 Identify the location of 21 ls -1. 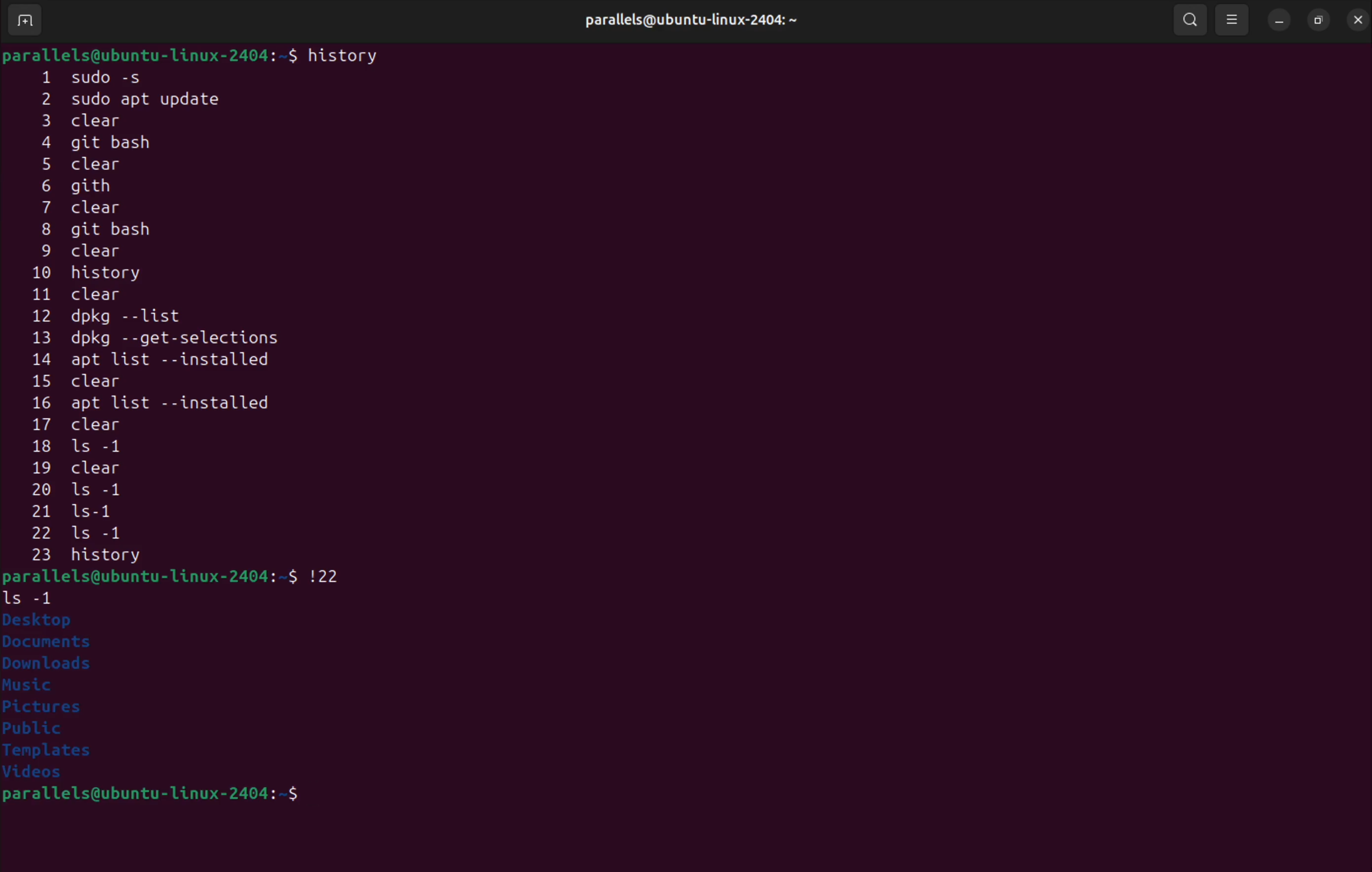
(89, 512).